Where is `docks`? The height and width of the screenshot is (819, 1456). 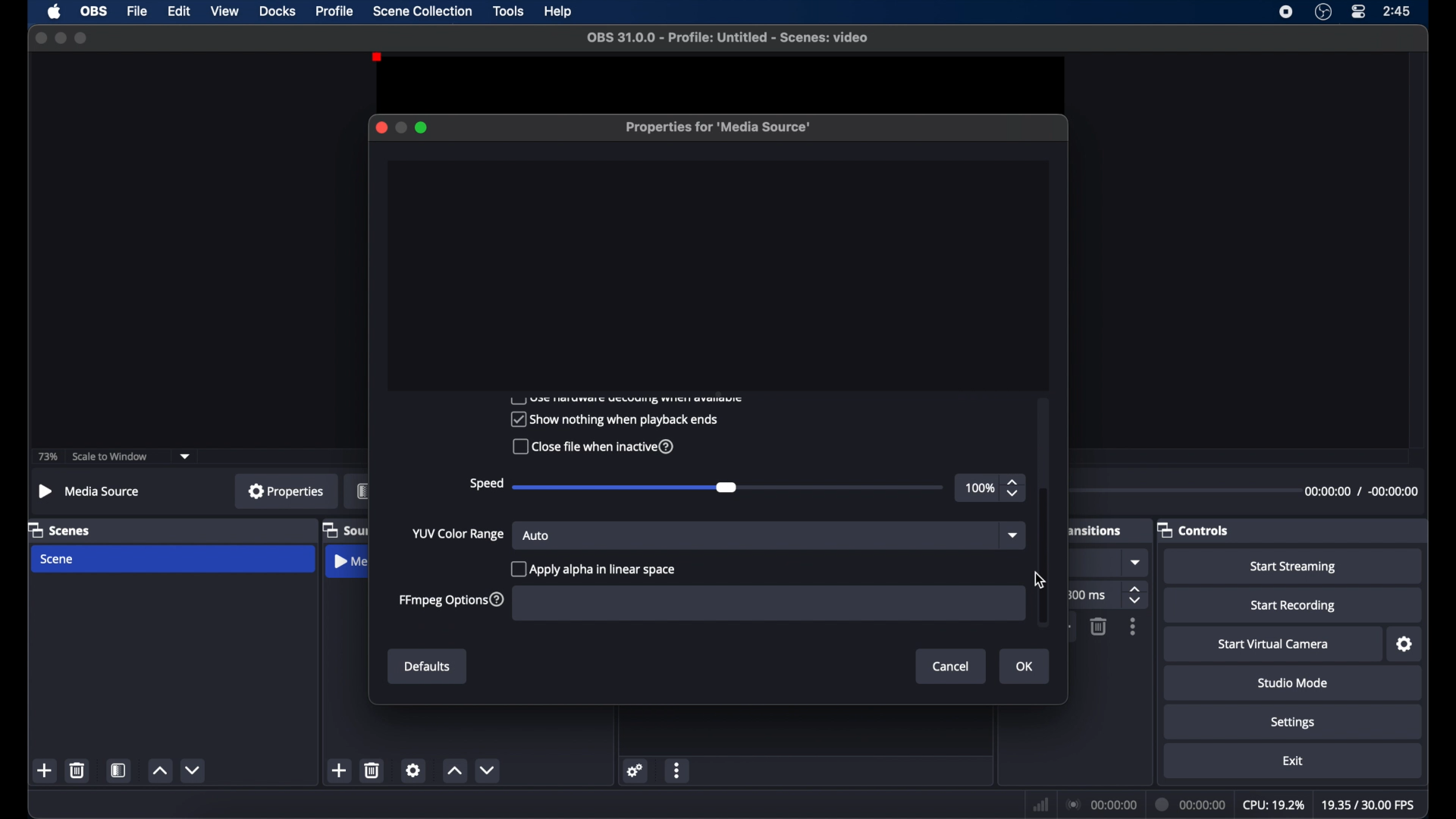 docks is located at coordinates (278, 11).